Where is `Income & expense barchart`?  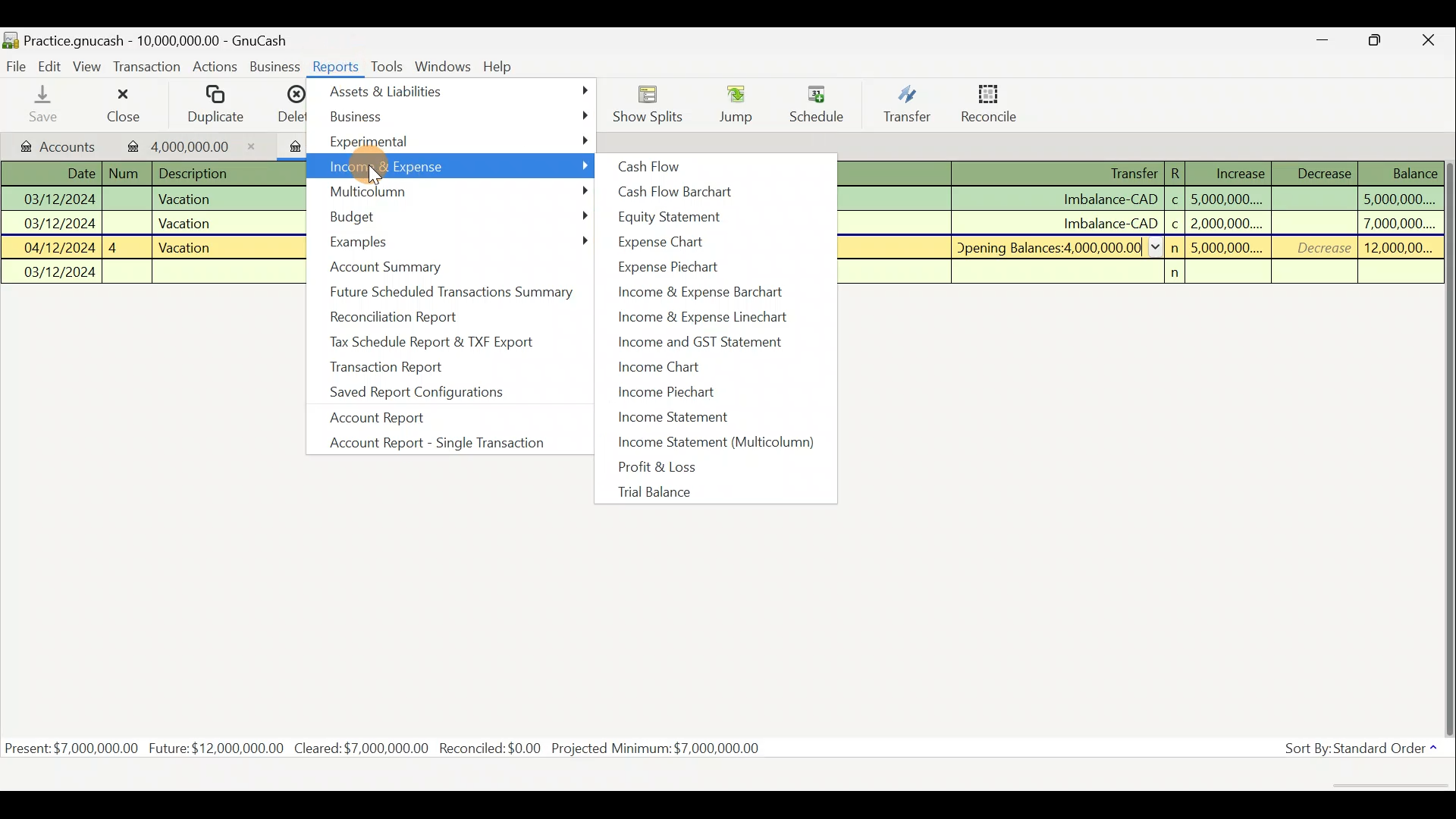
Income & expense barchart is located at coordinates (720, 291).